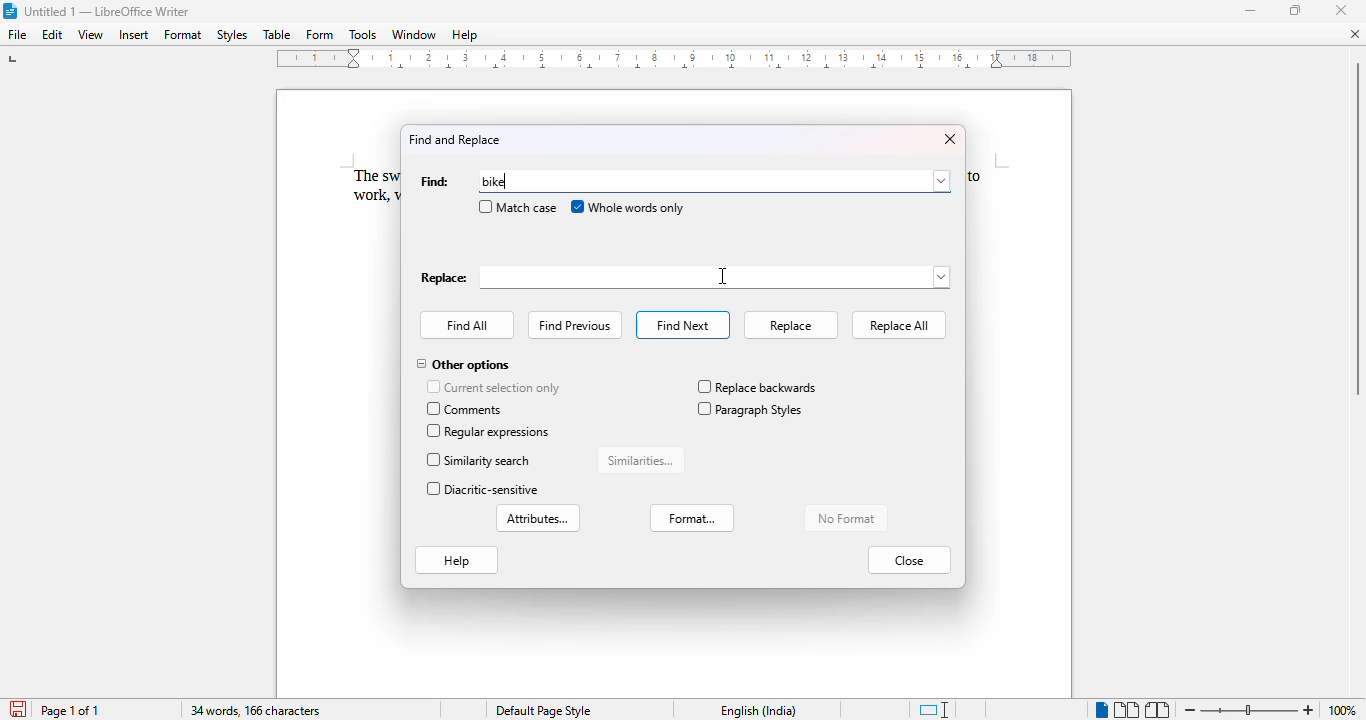  Describe the element at coordinates (1357, 227) in the screenshot. I see `Vertical scroll bar` at that location.